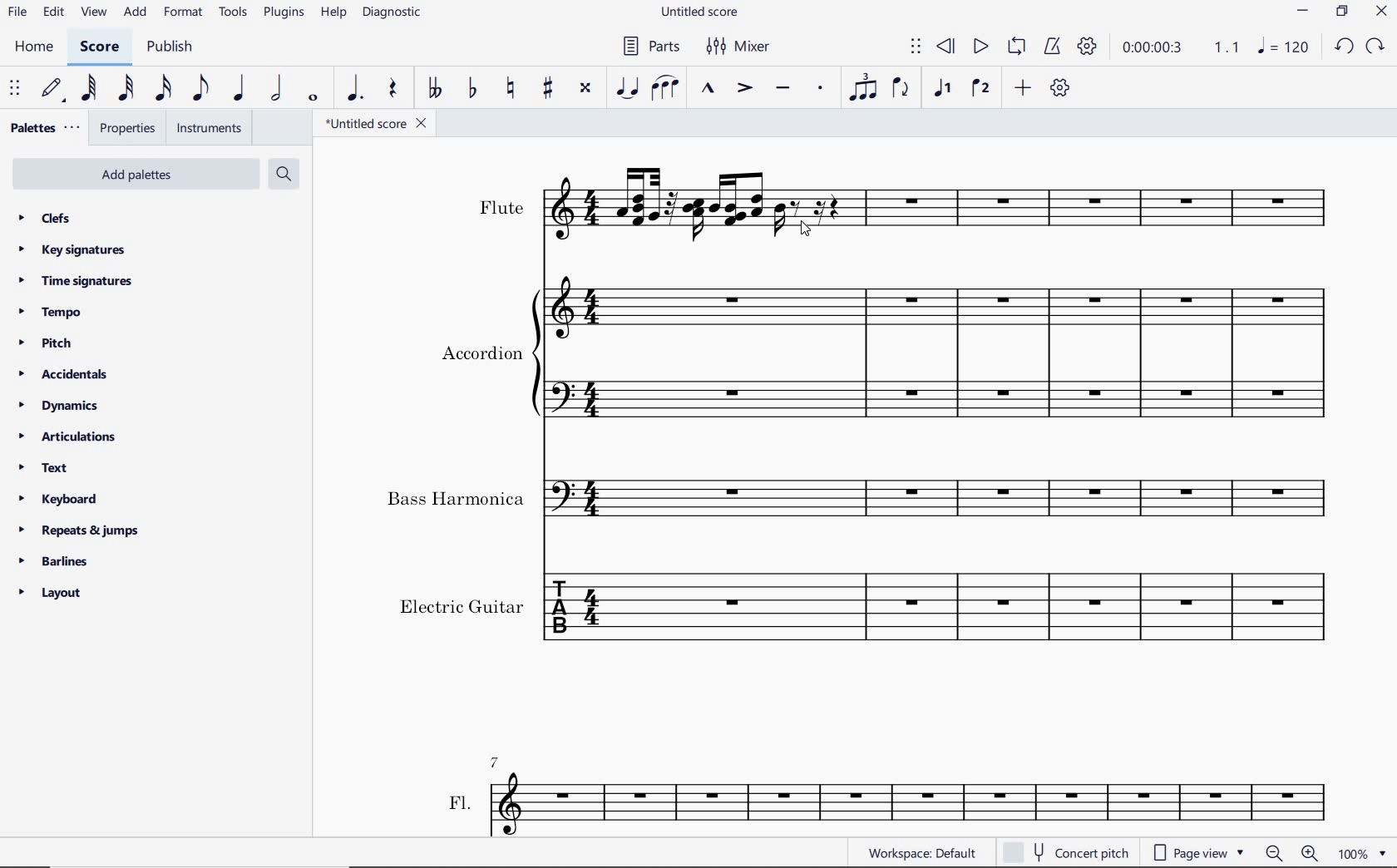 The width and height of the screenshot is (1397, 868). Describe the element at coordinates (183, 15) in the screenshot. I see `format` at that location.